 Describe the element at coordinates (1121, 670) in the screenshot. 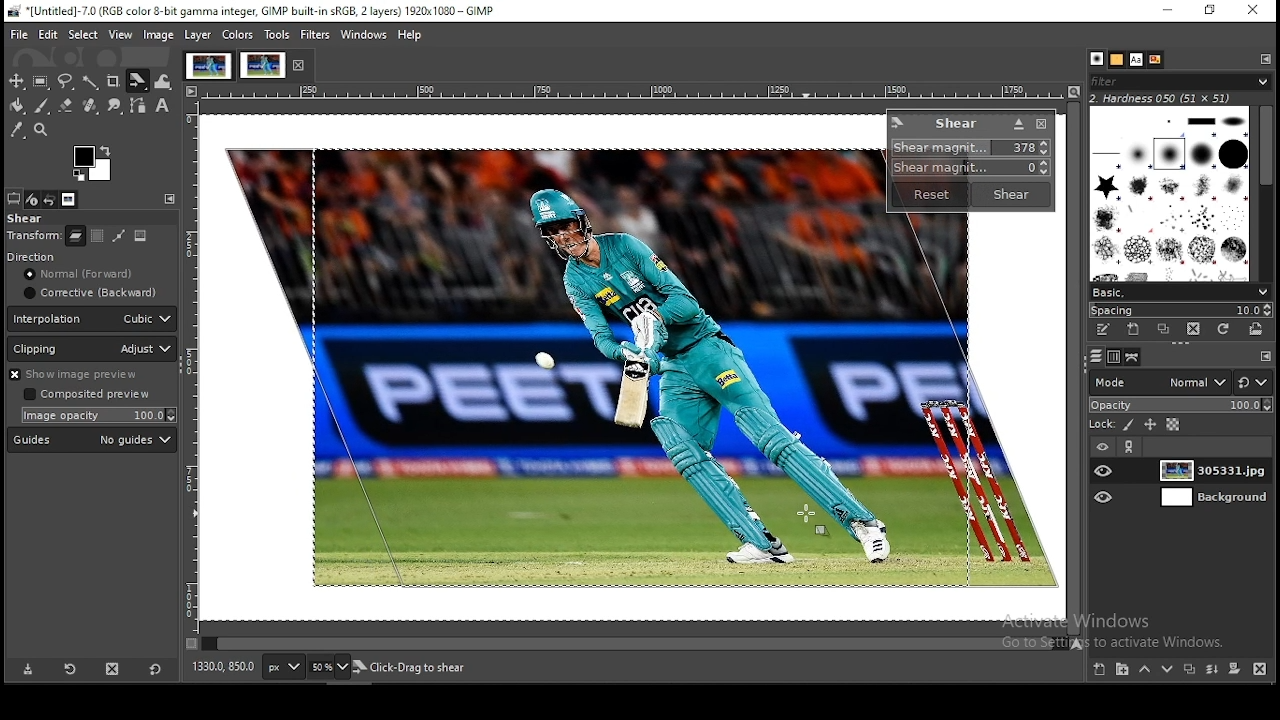

I see `new layer group` at that location.